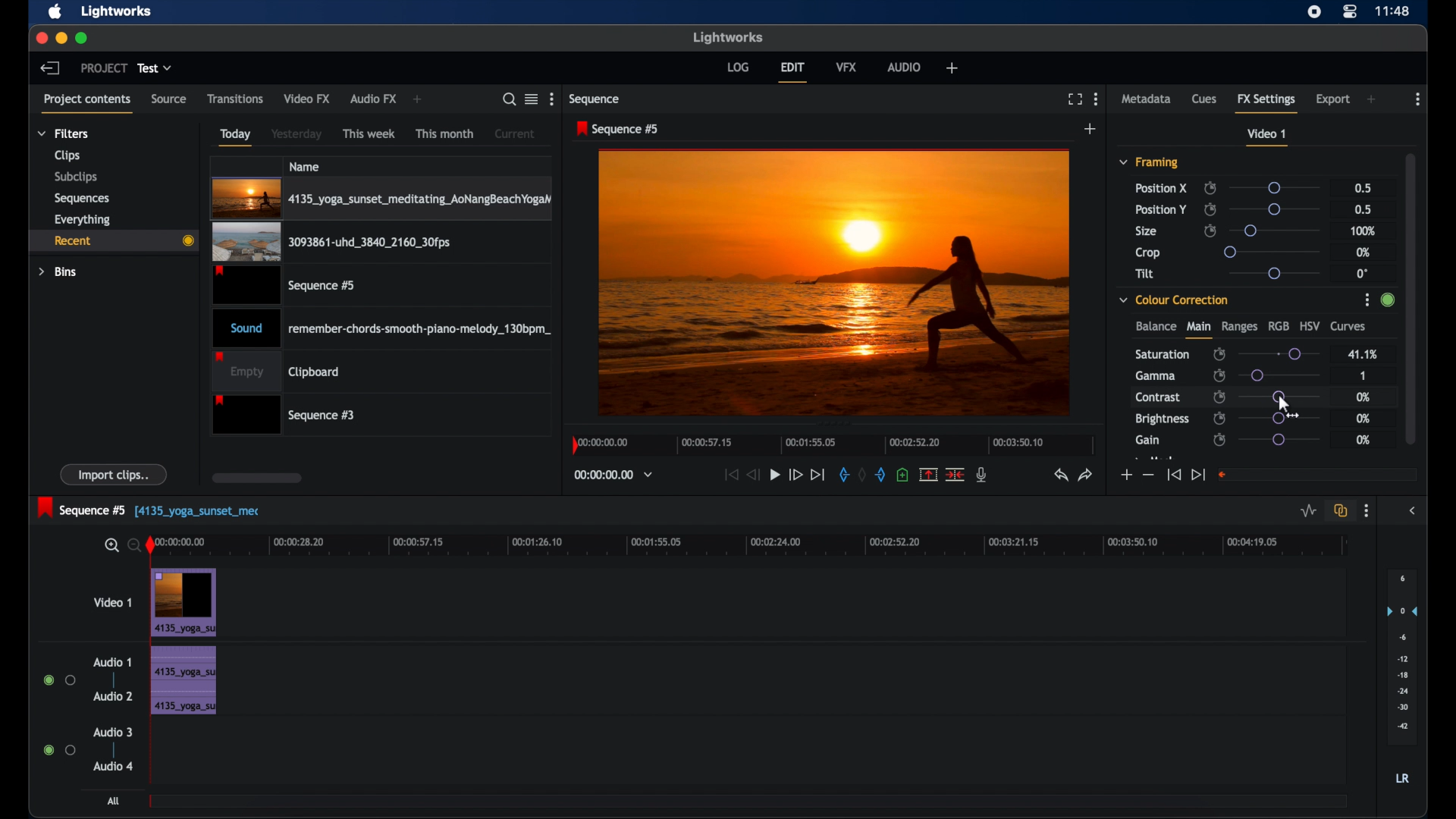  Describe the element at coordinates (1284, 375) in the screenshot. I see `slider` at that location.